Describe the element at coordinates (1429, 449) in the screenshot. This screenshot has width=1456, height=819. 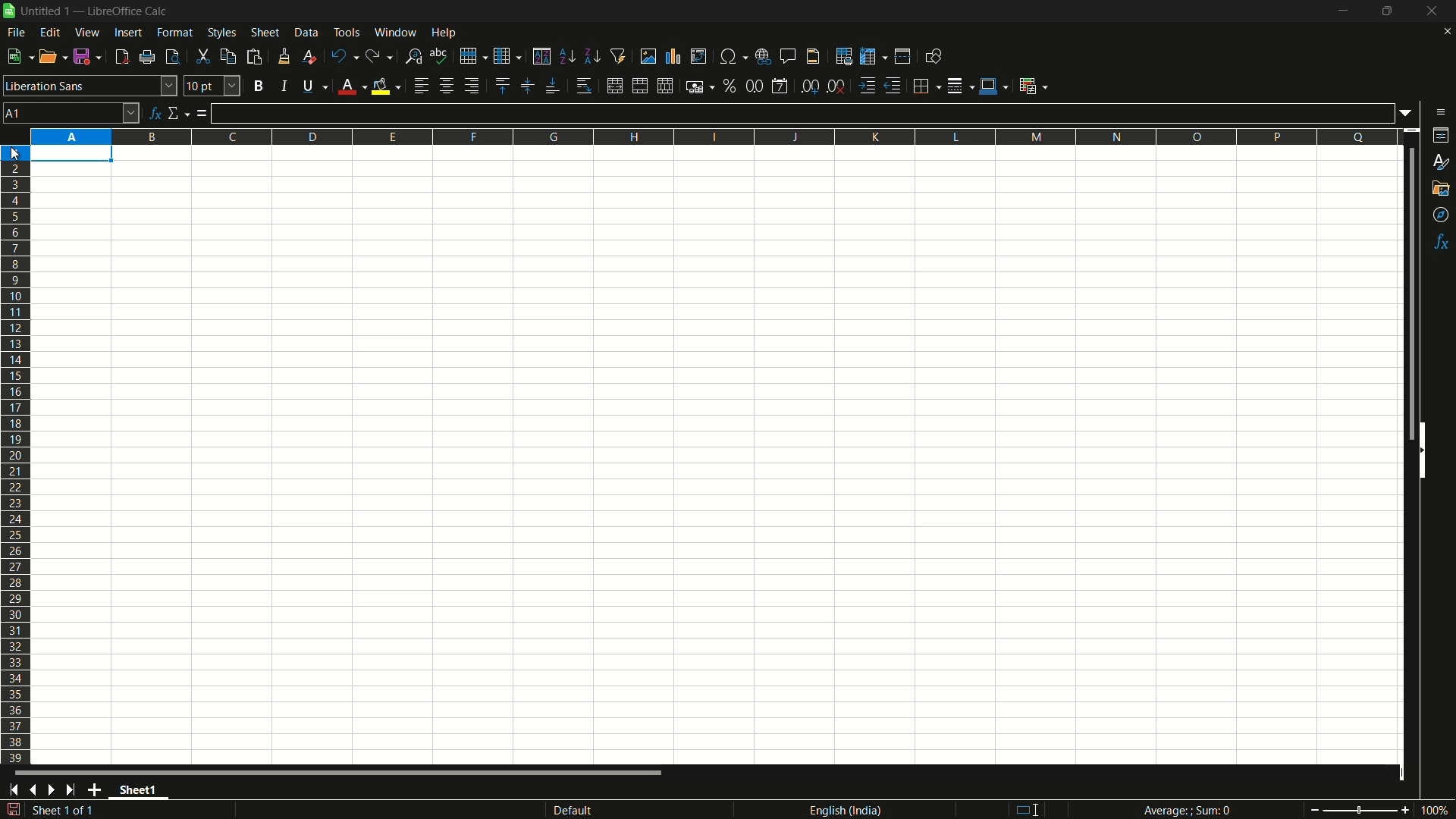
I see `hide sidebar` at that location.